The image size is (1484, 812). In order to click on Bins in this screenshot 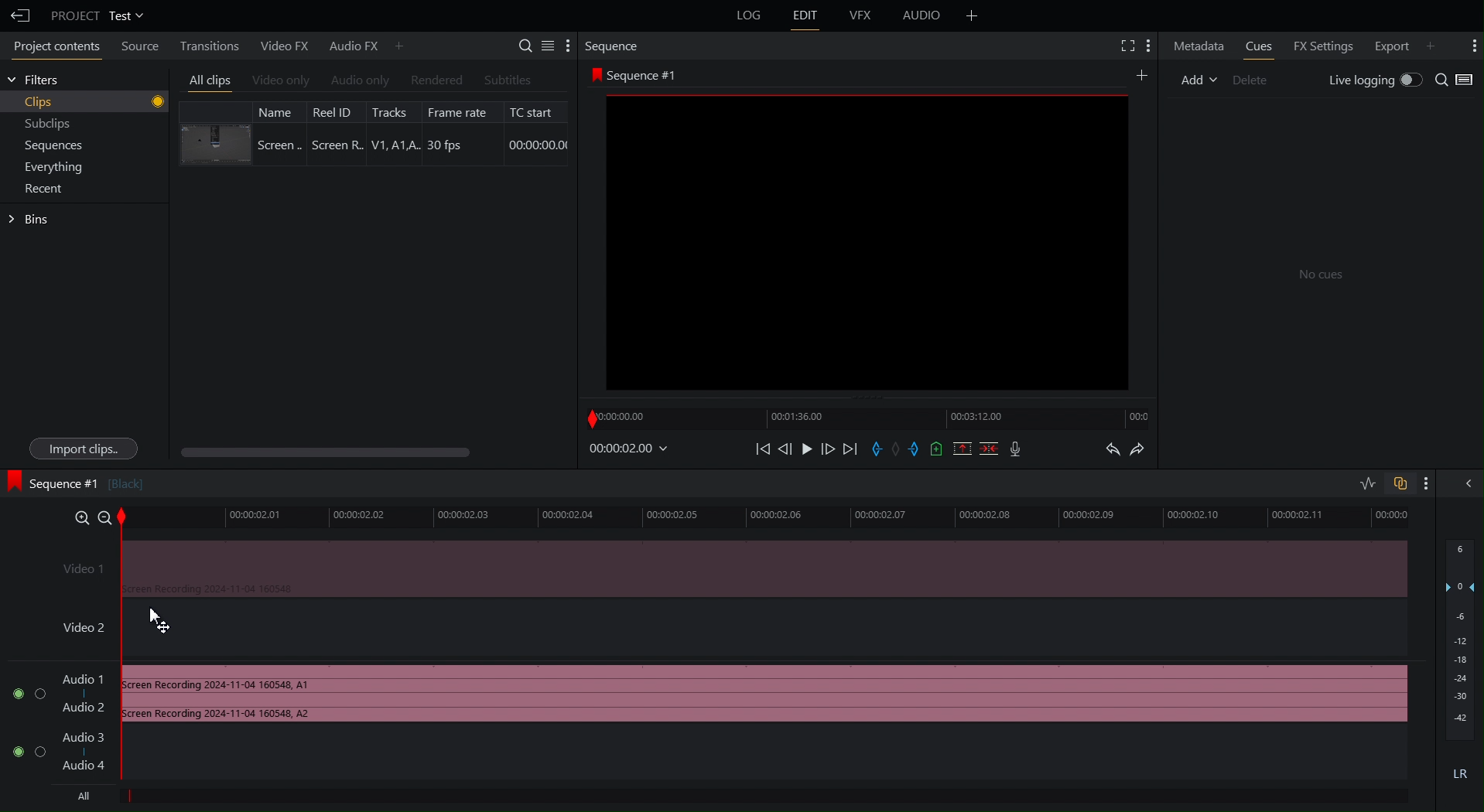, I will do `click(29, 220)`.